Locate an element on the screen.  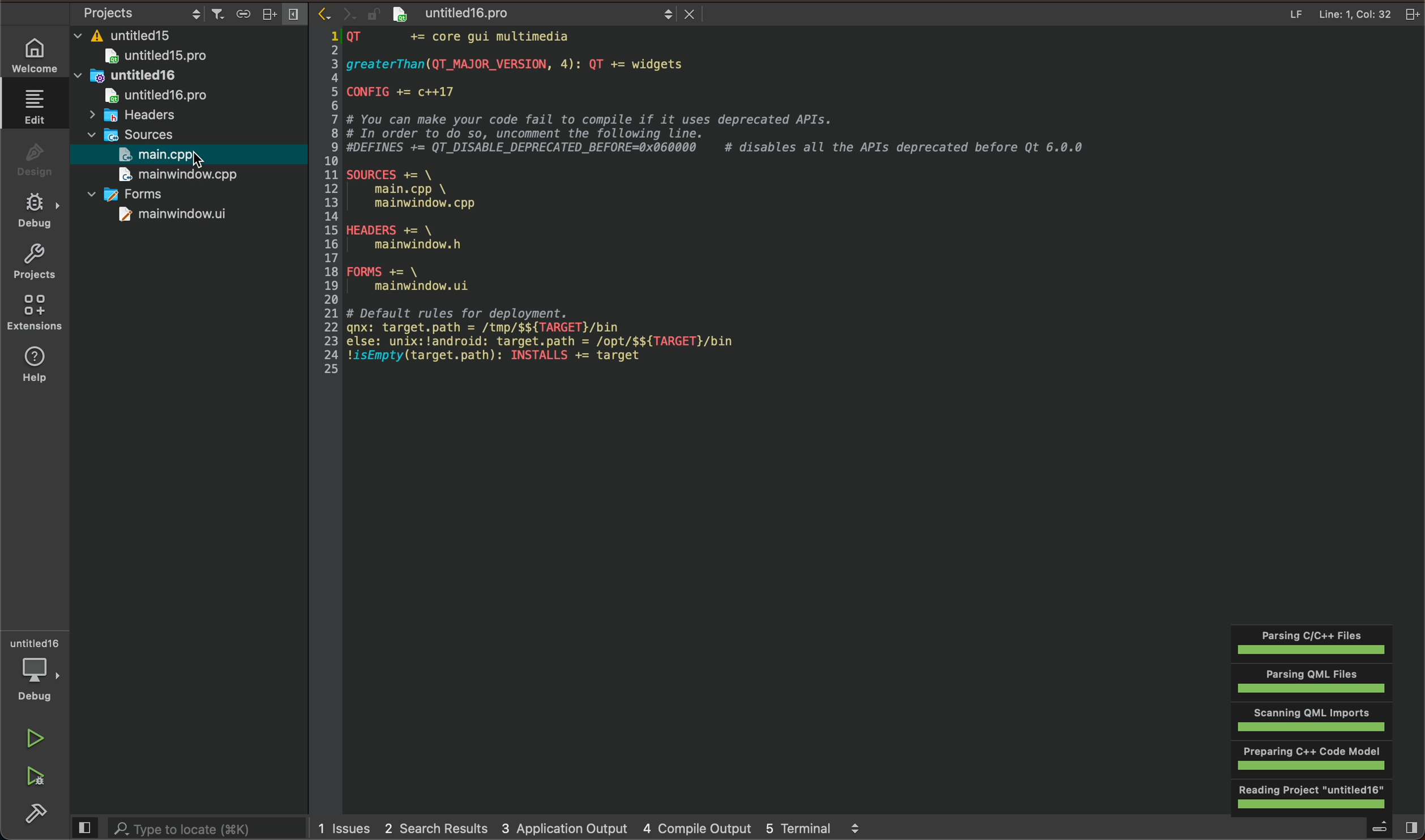
headers is located at coordinates (144, 116).